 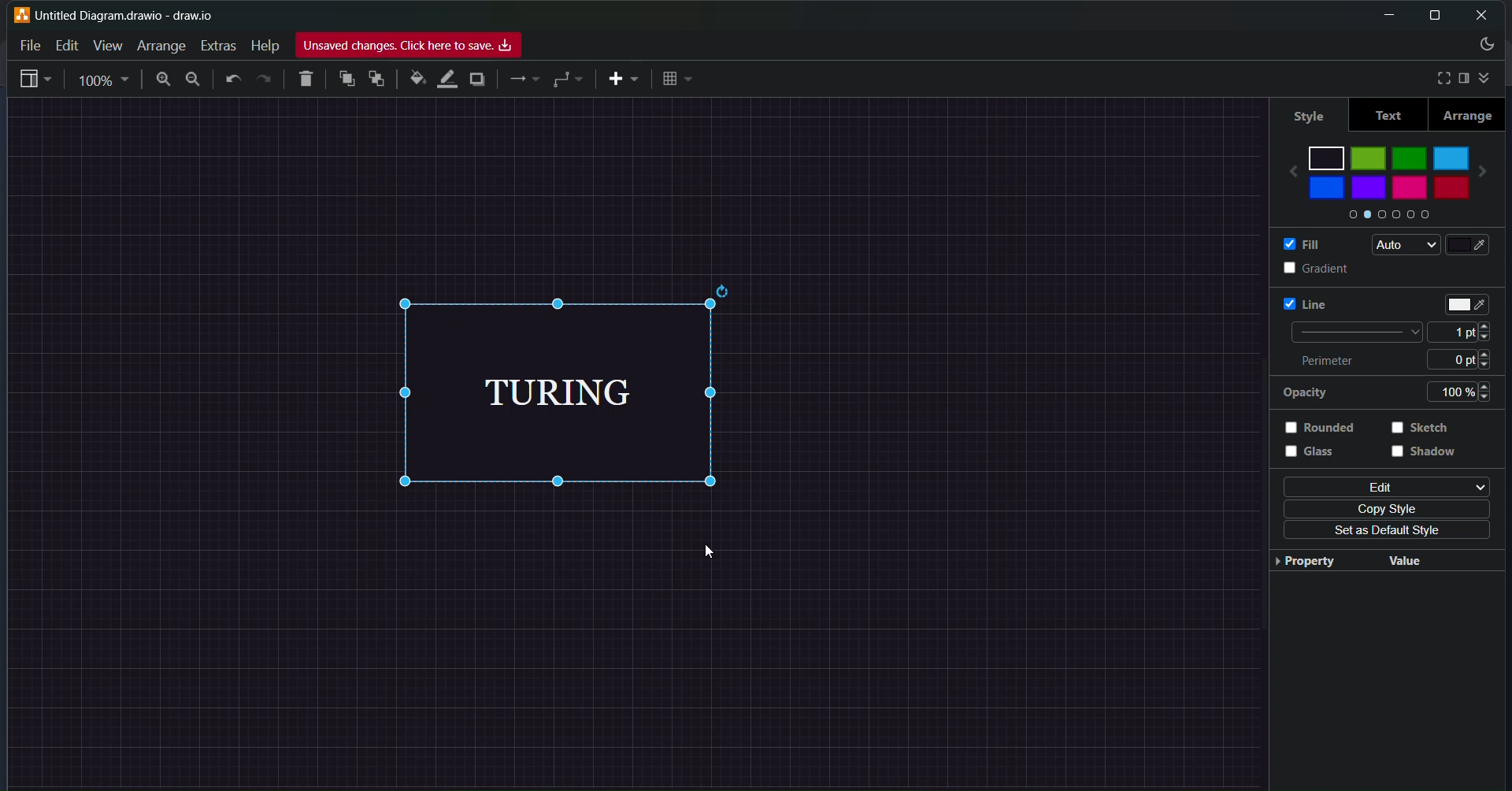 What do you see at coordinates (135, 13) in the screenshot?
I see `untitled Diagram.drawio - draw.io` at bounding box center [135, 13].